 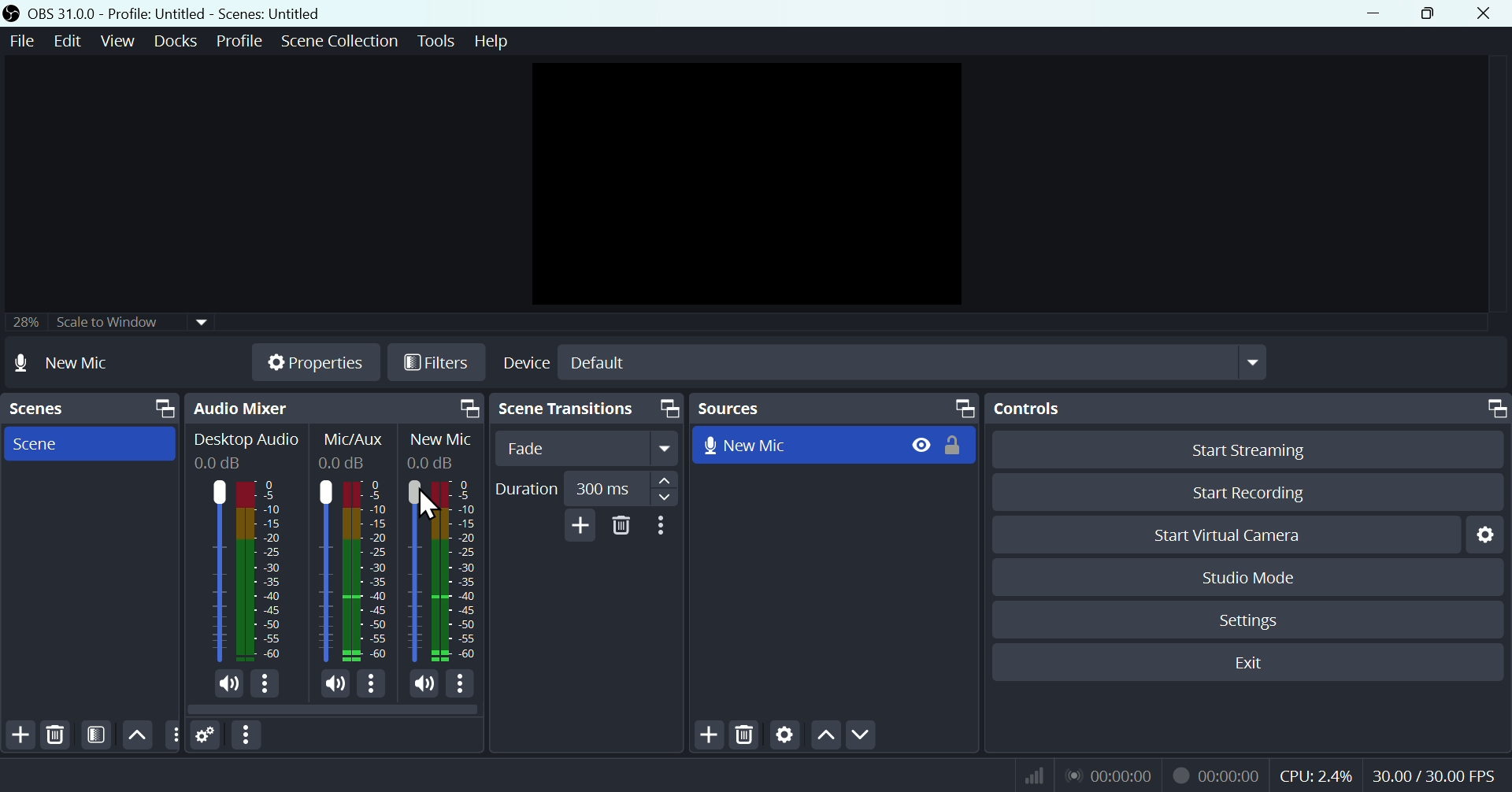 I want to click on Settings, so click(x=785, y=737).